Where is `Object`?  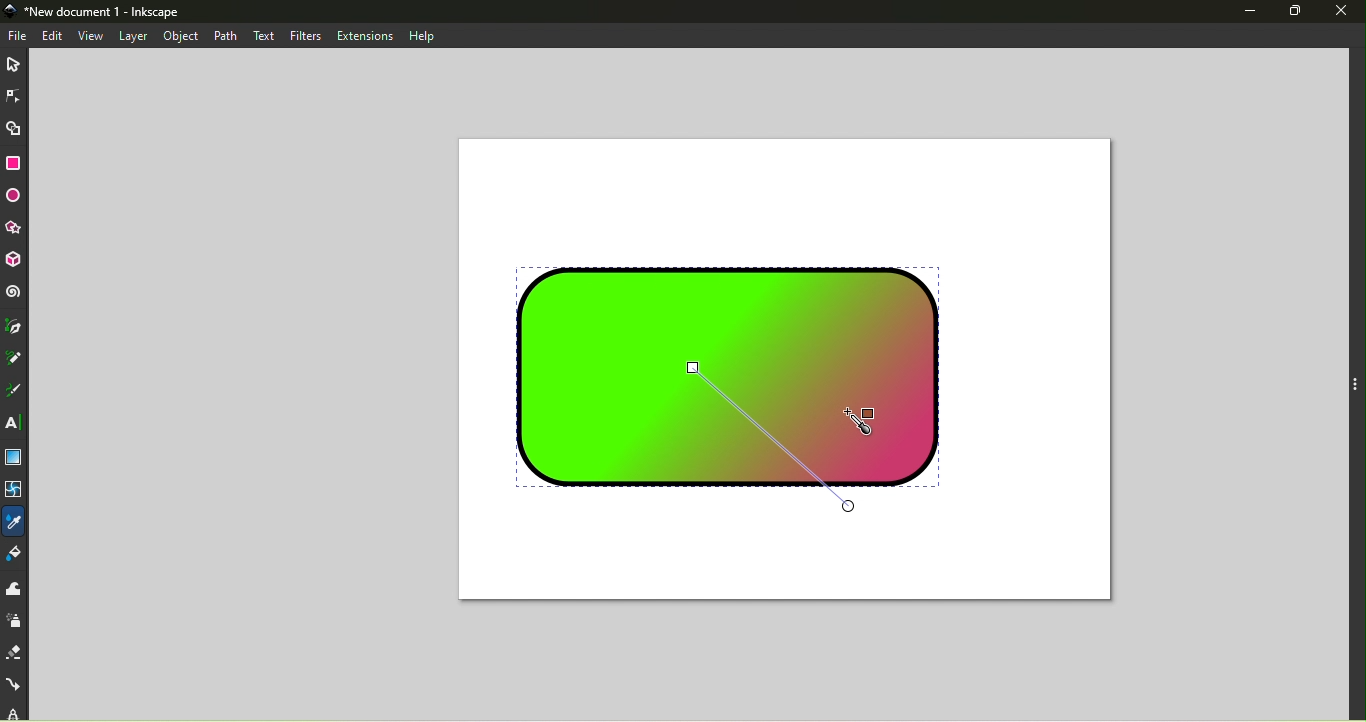
Object is located at coordinates (184, 35).